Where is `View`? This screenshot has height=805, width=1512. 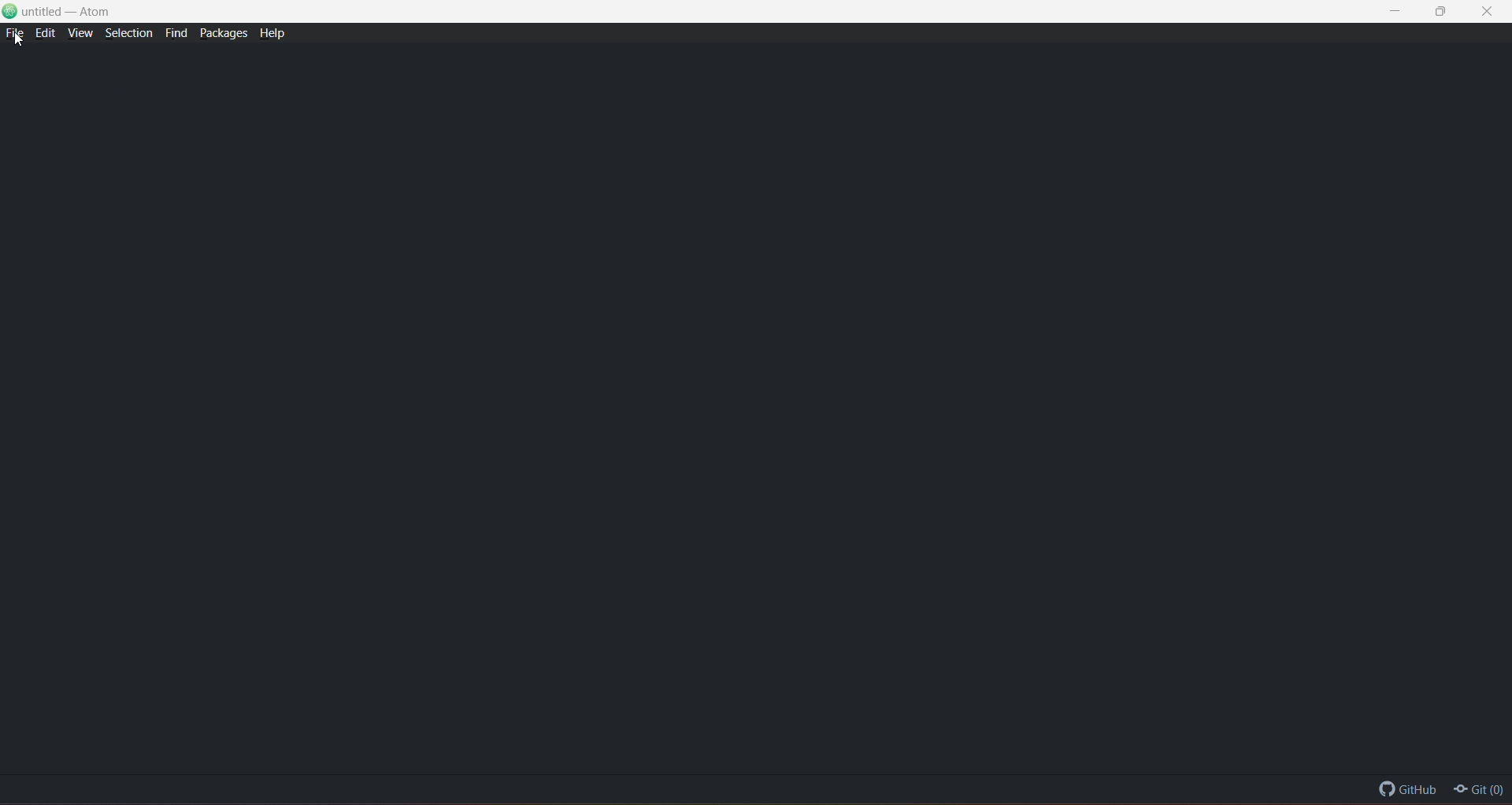
View is located at coordinates (80, 33).